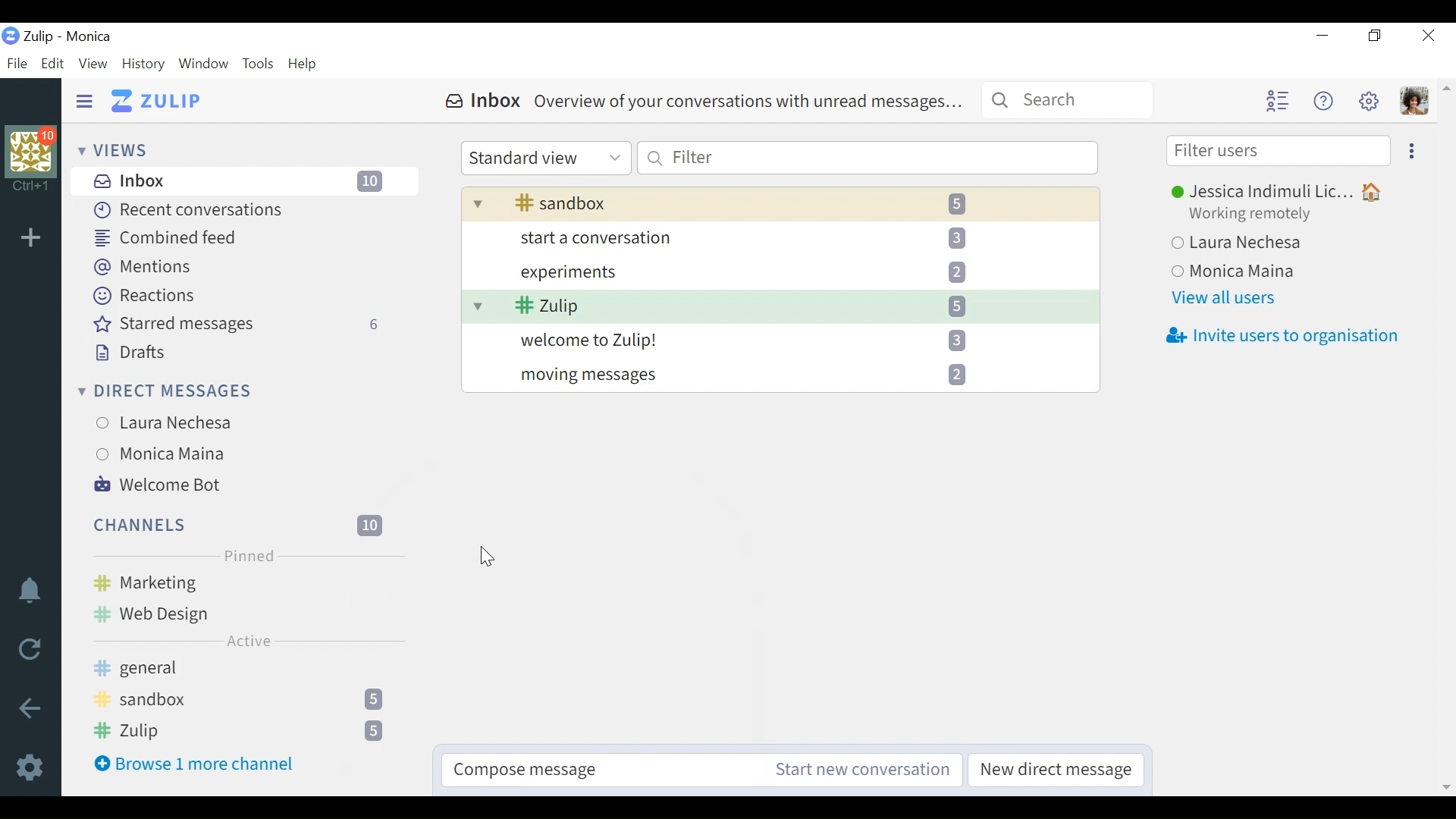 This screenshot has width=1456, height=819. Describe the element at coordinates (31, 188) in the screenshot. I see `Ctrl + 1` at that location.